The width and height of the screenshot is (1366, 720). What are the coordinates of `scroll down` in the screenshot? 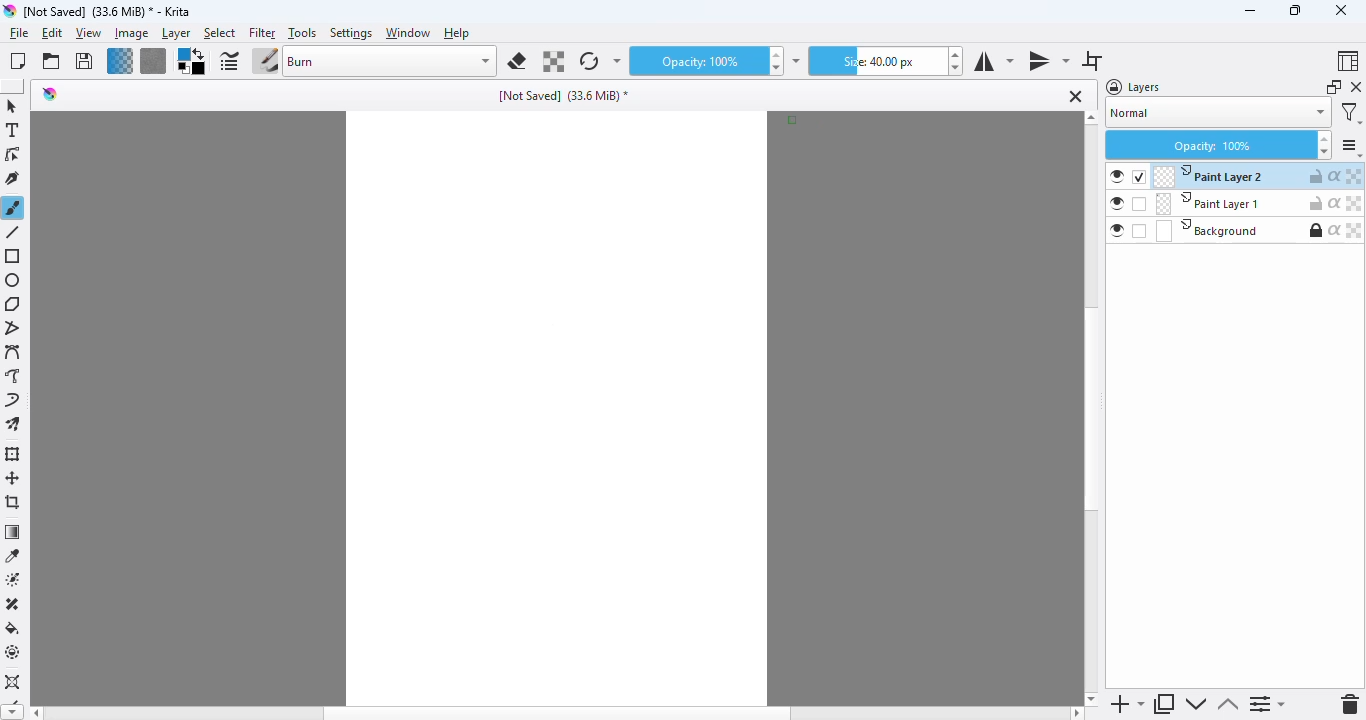 It's located at (10, 713).